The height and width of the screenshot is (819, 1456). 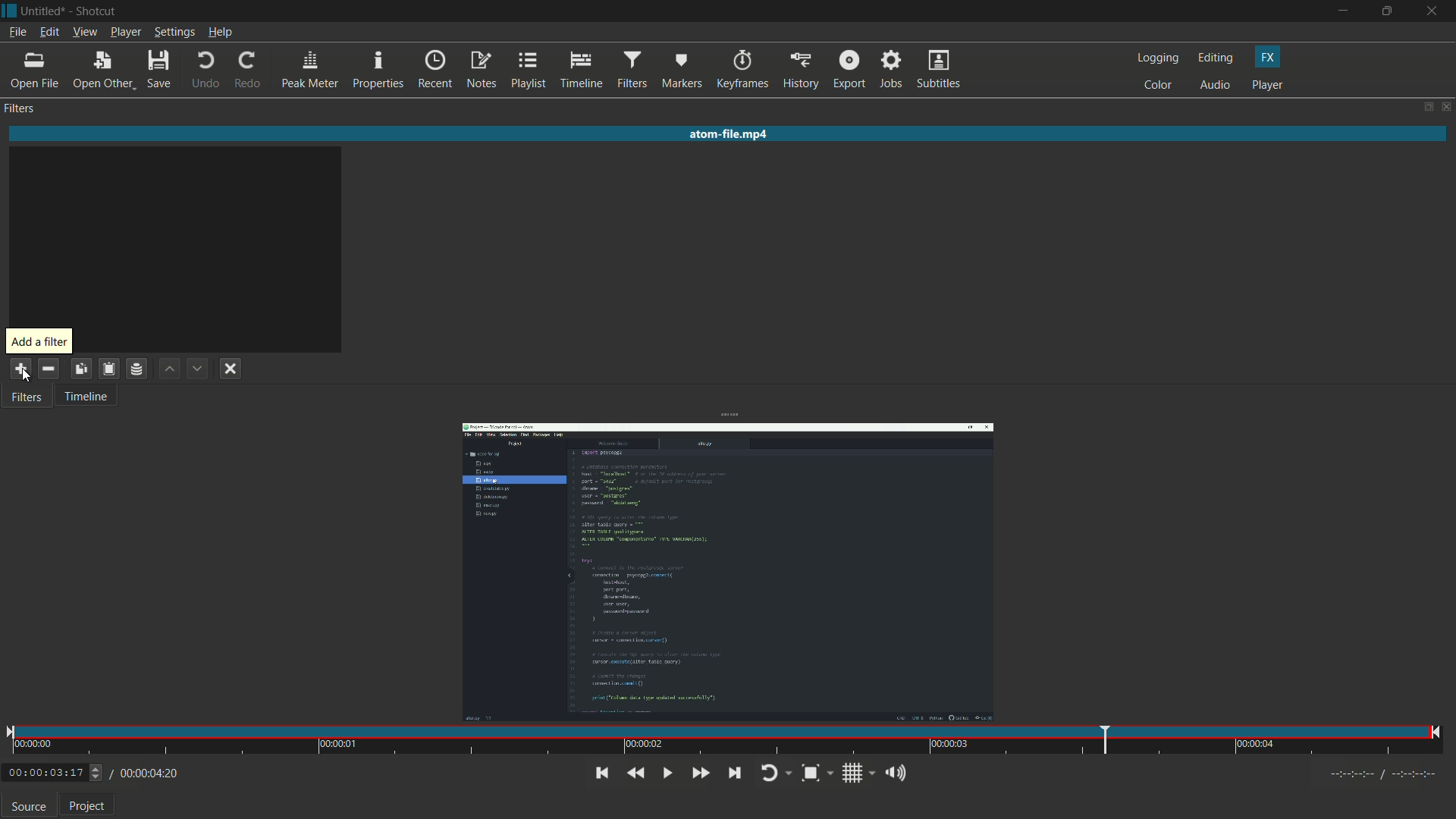 I want to click on change layout, so click(x=1427, y=108).